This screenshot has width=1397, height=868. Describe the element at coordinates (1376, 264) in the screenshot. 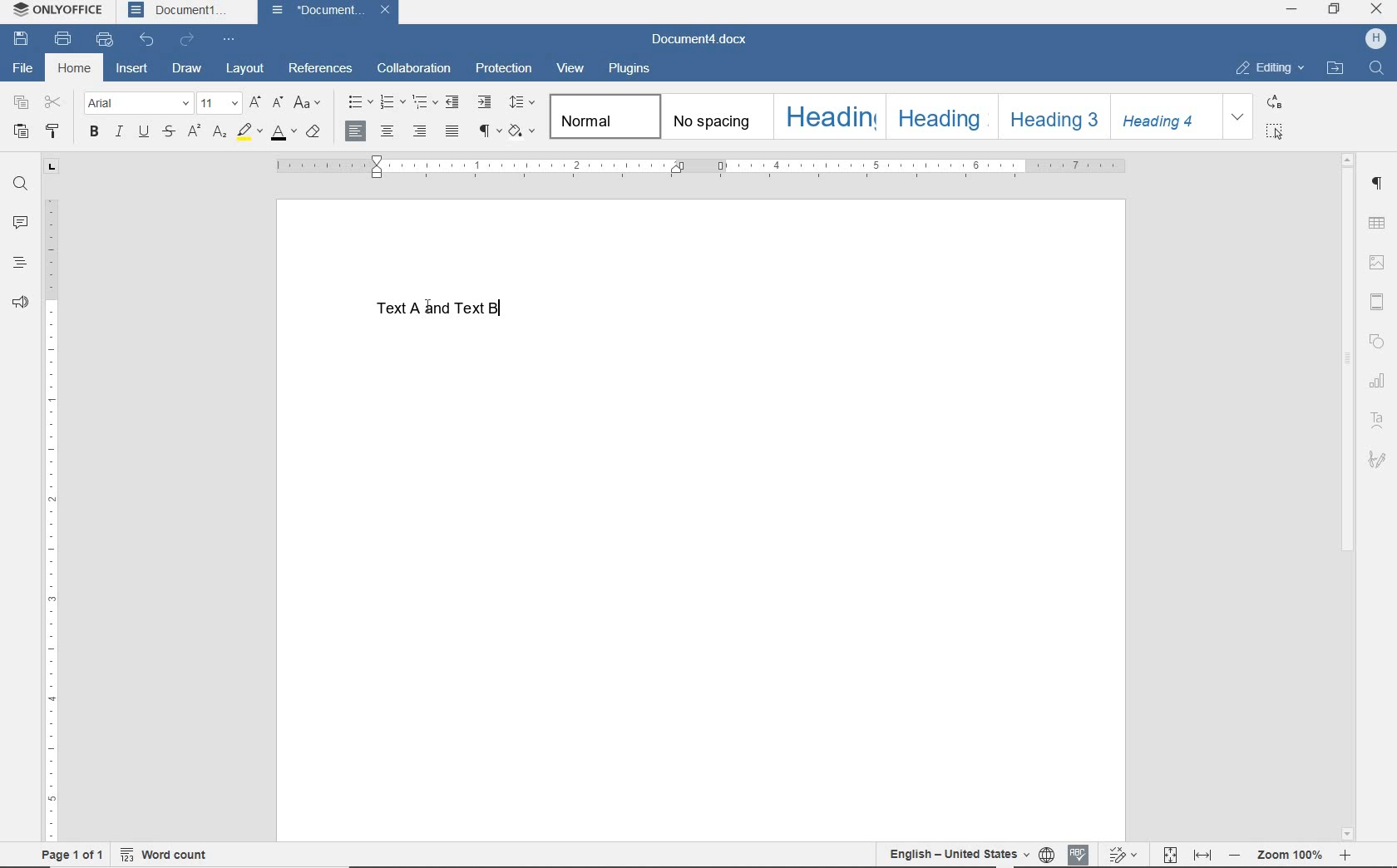

I see `IMAGE` at that location.